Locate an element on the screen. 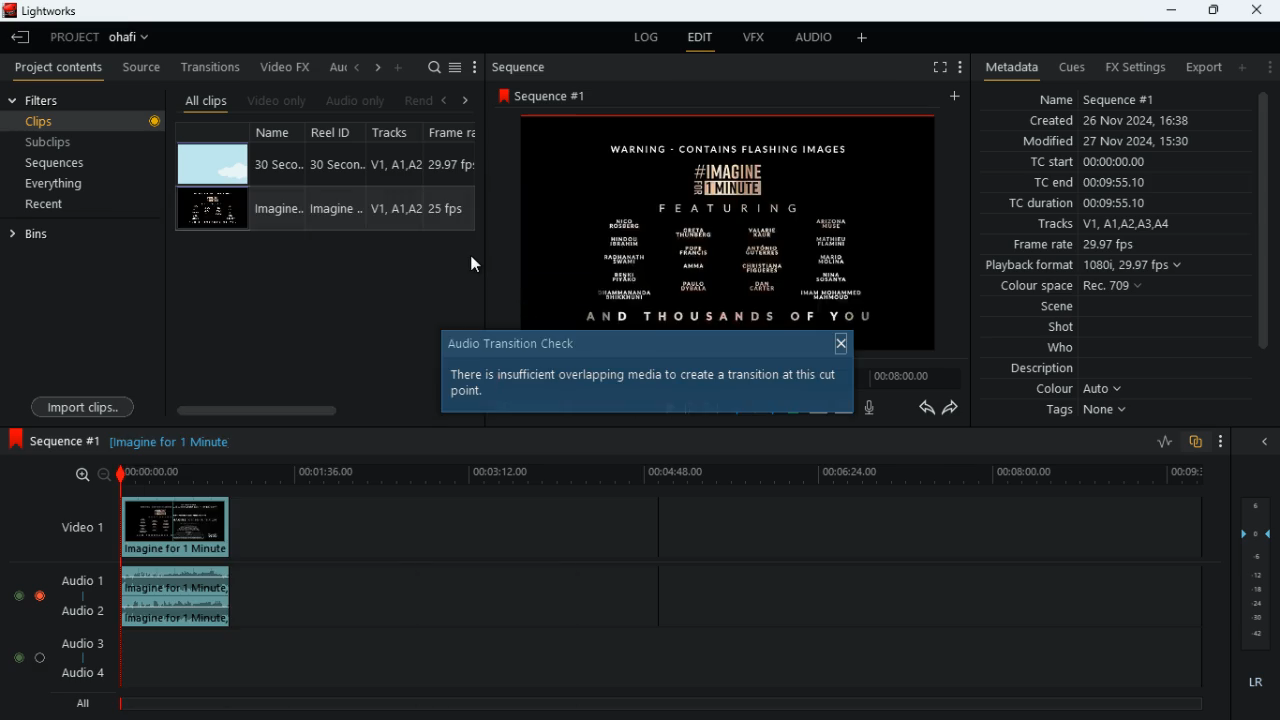 This screenshot has height=720, width=1280. transitions is located at coordinates (212, 65).